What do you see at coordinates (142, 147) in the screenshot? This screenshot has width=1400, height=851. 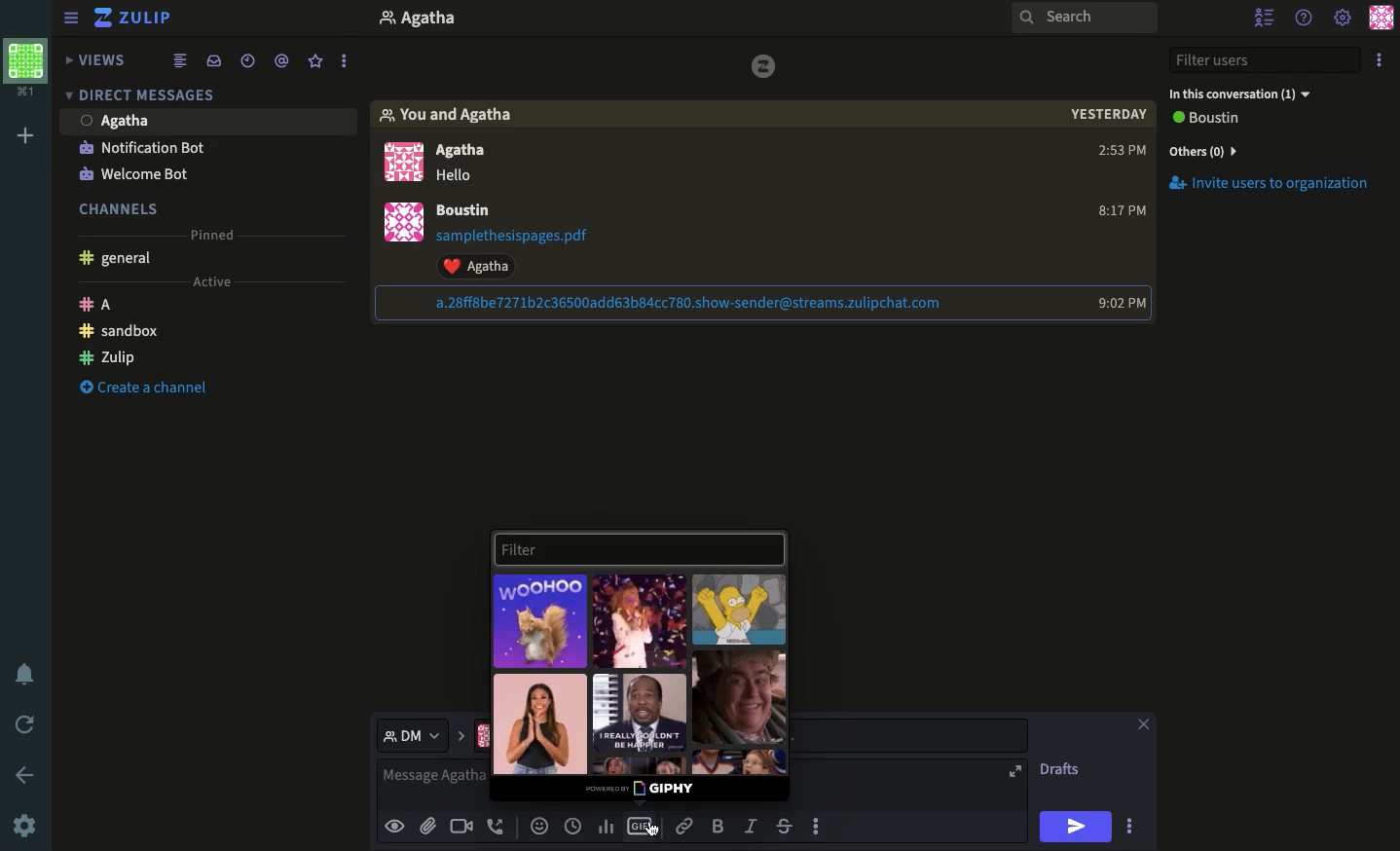 I see `Notification ` at bounding box center [142, 147].